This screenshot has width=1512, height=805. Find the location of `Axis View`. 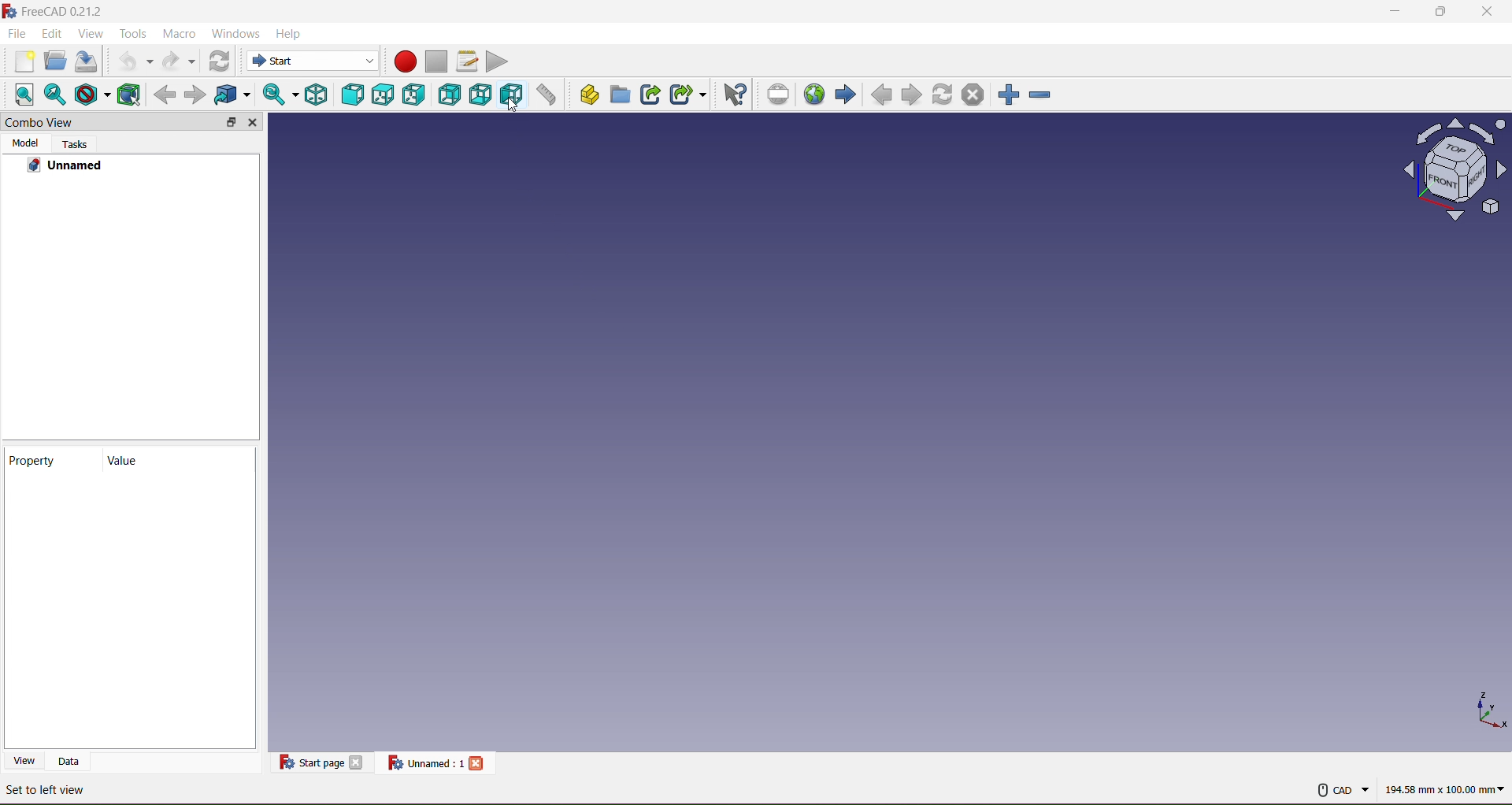

Axis View is located at coordinates (1456, 169).